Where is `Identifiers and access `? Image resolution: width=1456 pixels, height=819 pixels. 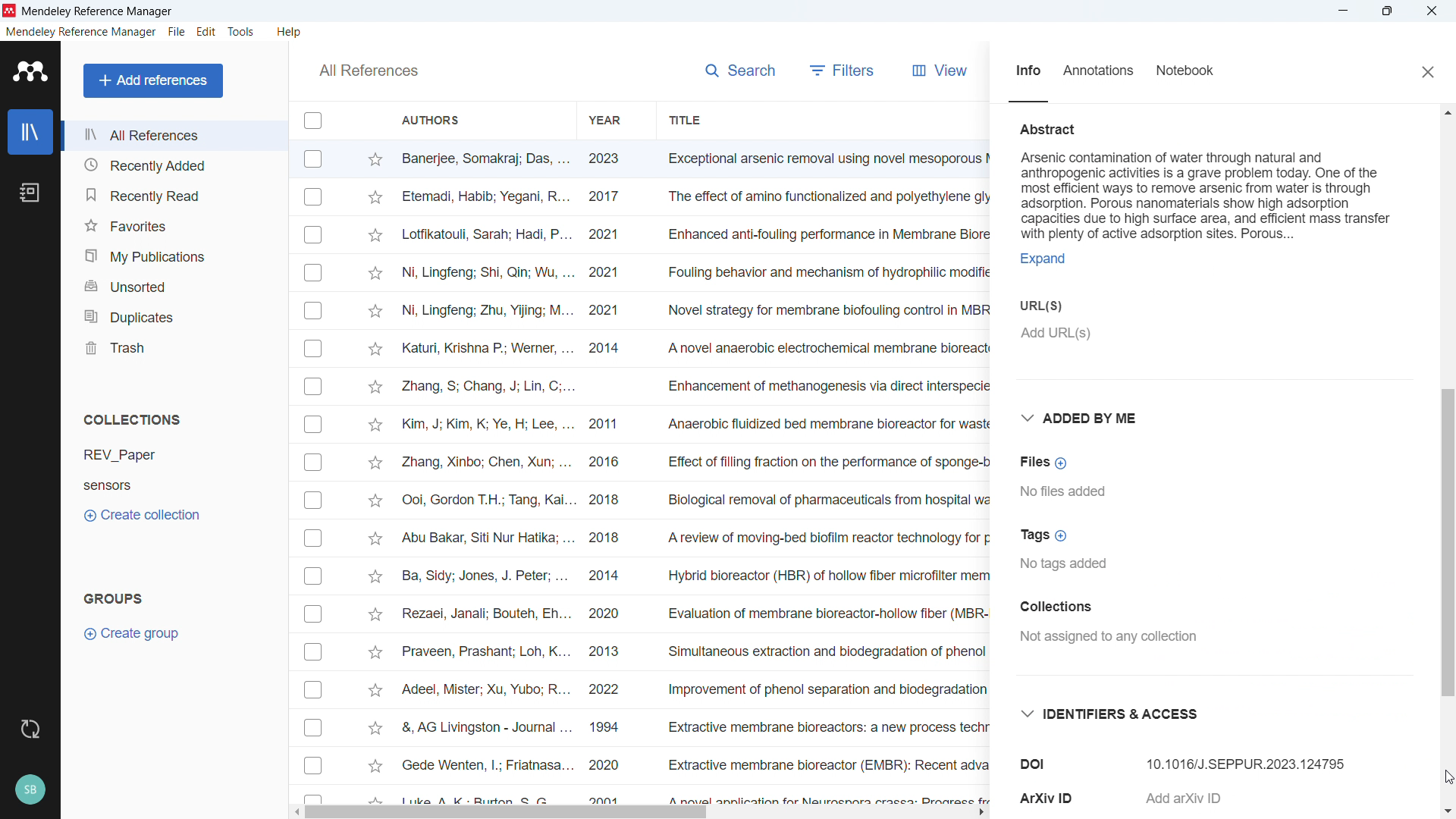
Identifiers and access  is located at coordinates (1114, 710).